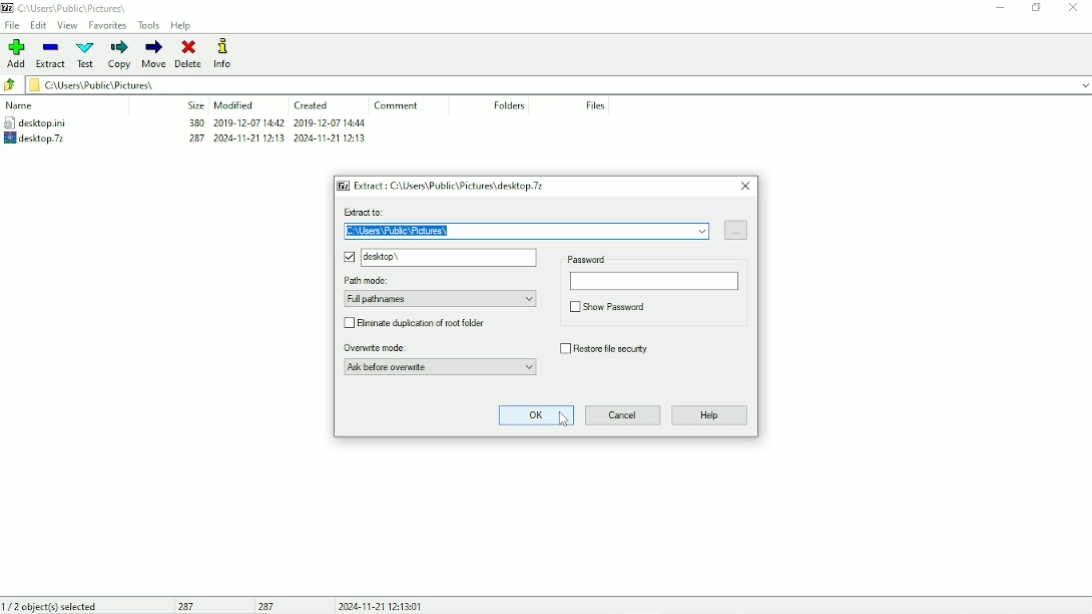  Describe the element at coordinates (52, 55) in the screenshot. I see `Extract` at that location.